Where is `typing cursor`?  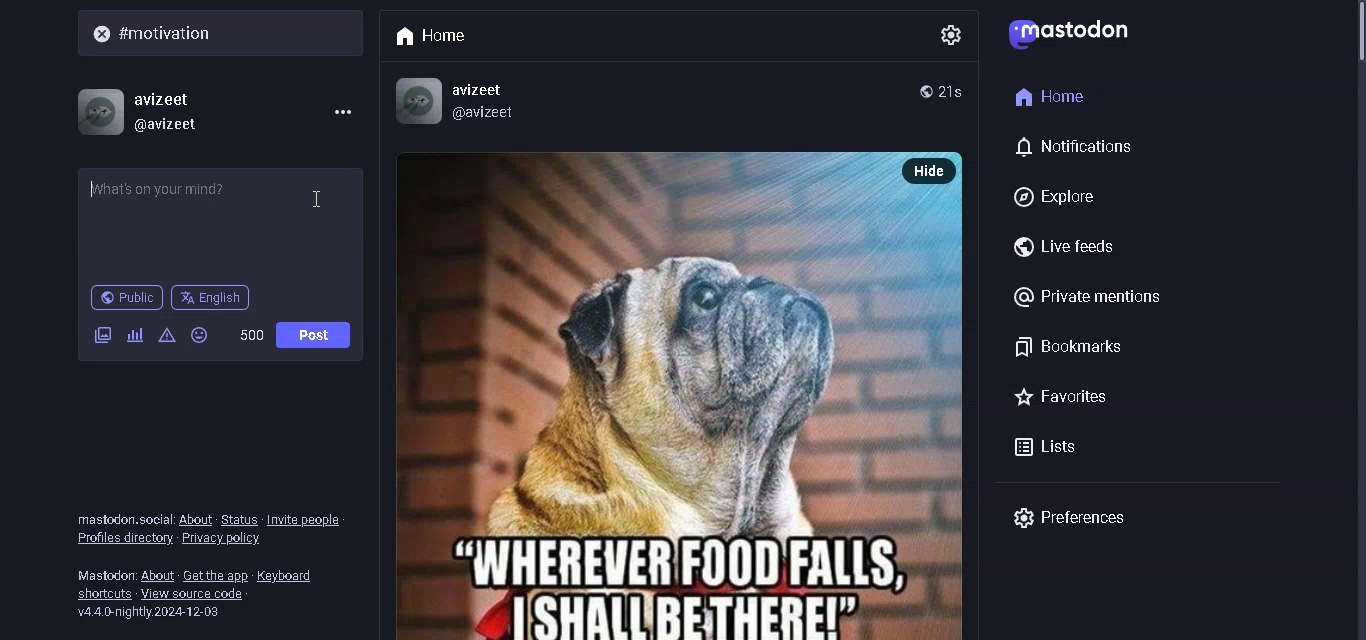 typing cursor is located at coordinates (92, 188).